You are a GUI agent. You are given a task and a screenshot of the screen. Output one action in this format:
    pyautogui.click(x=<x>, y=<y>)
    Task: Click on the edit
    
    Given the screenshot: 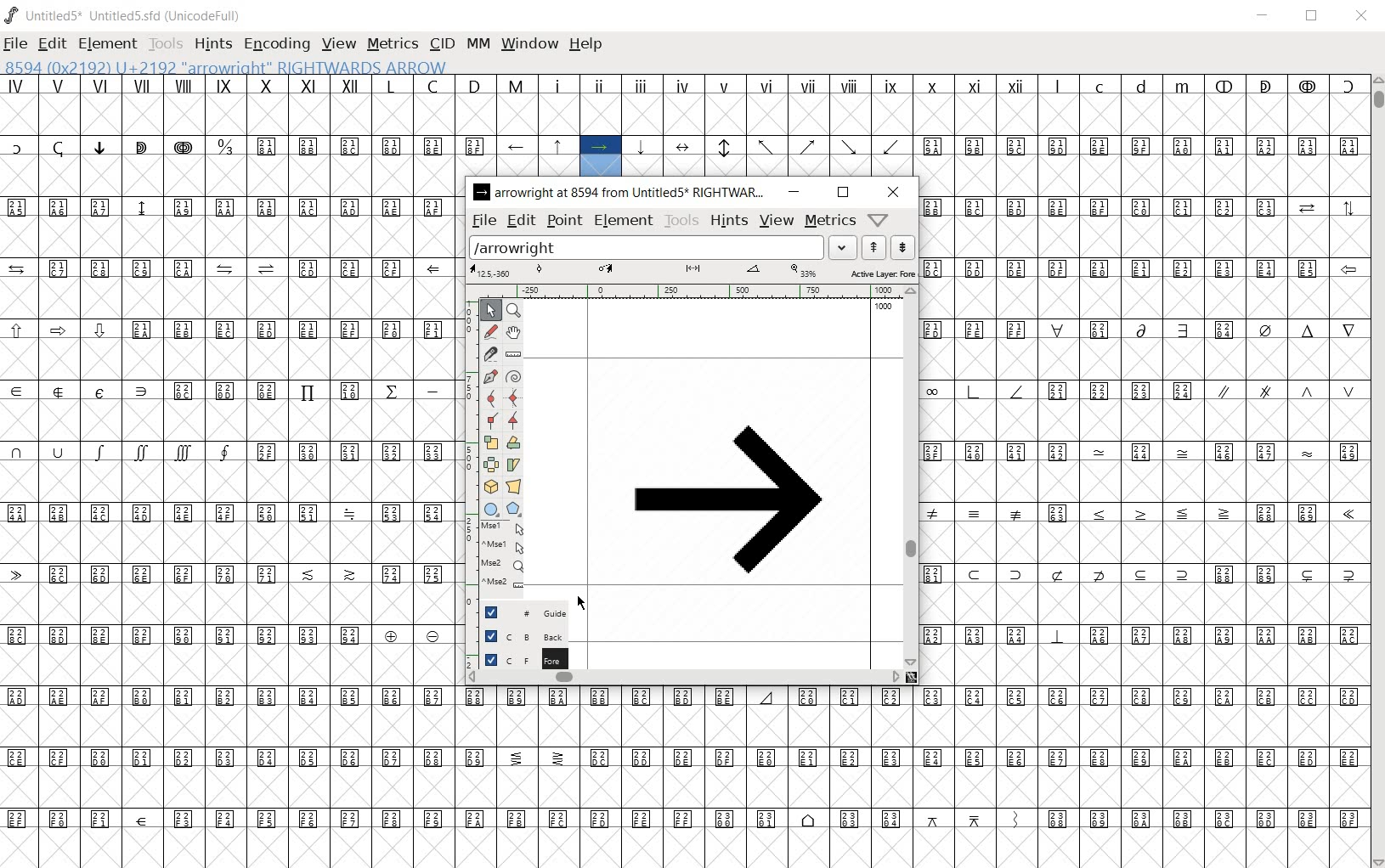 What is the action you would take?
    pyautogui.click(x=520, y=220)
    